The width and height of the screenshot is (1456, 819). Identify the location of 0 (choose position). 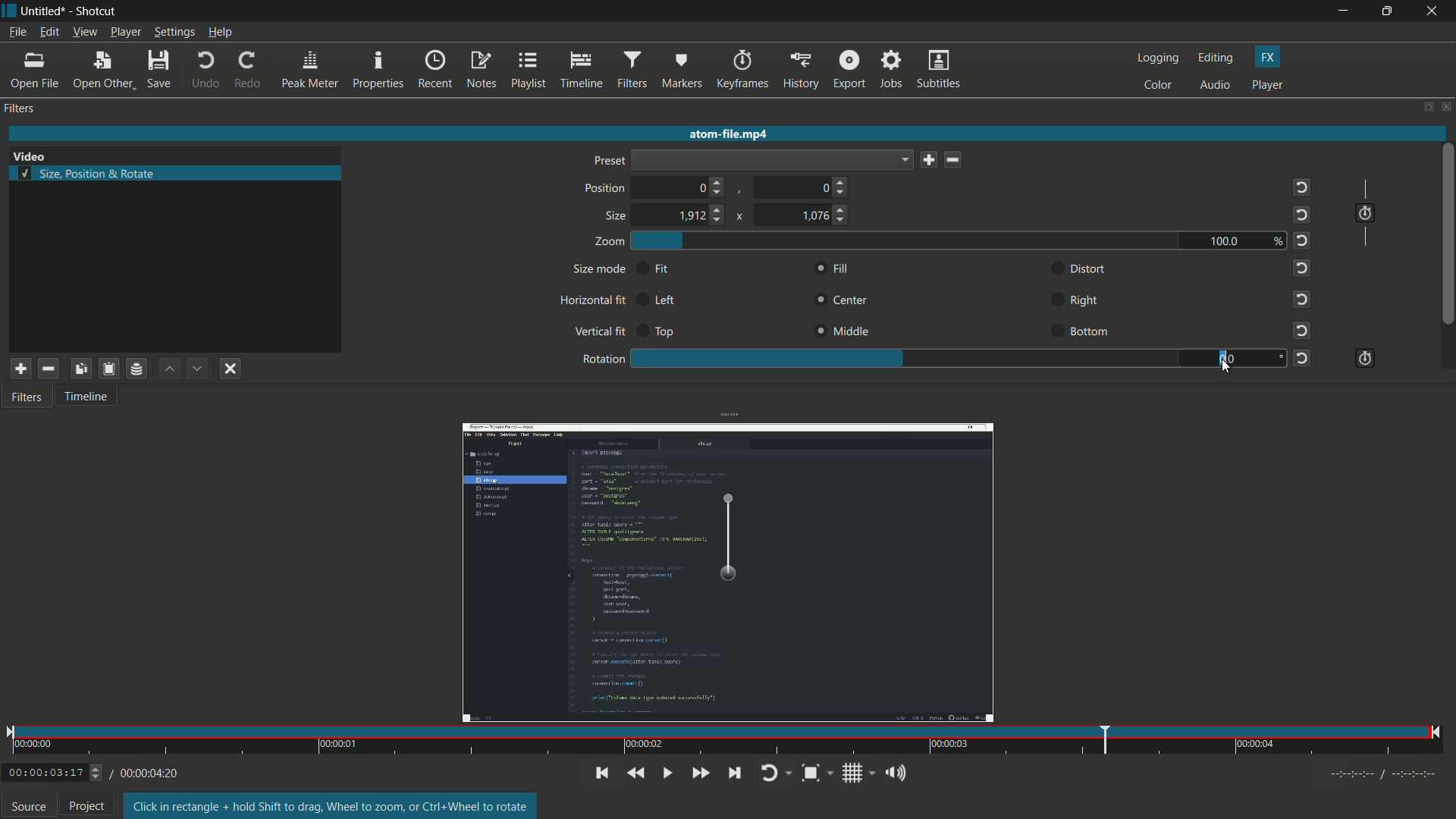
(836, 187).